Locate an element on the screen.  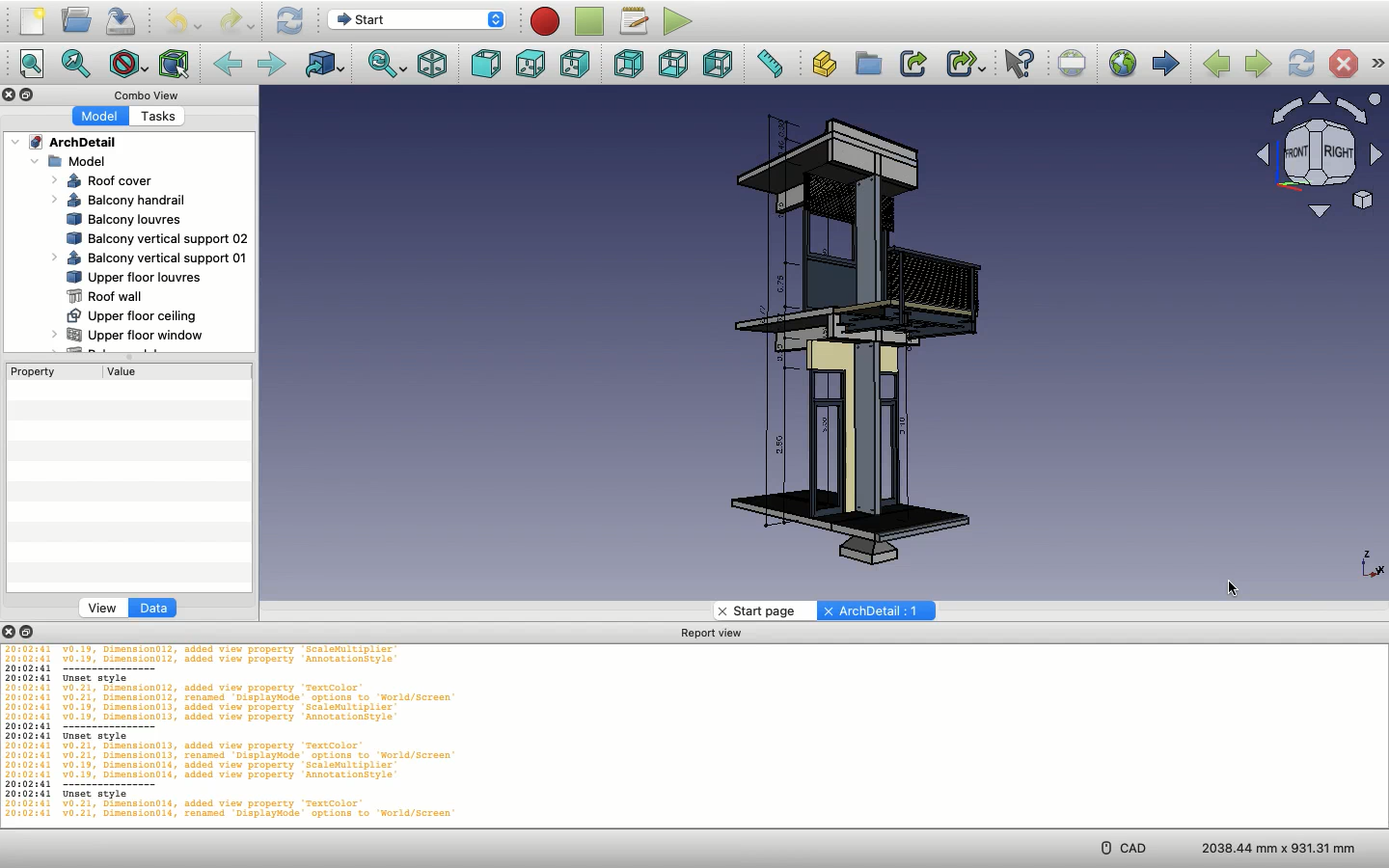
Navigation styles is located at coordinates (1320, 160).